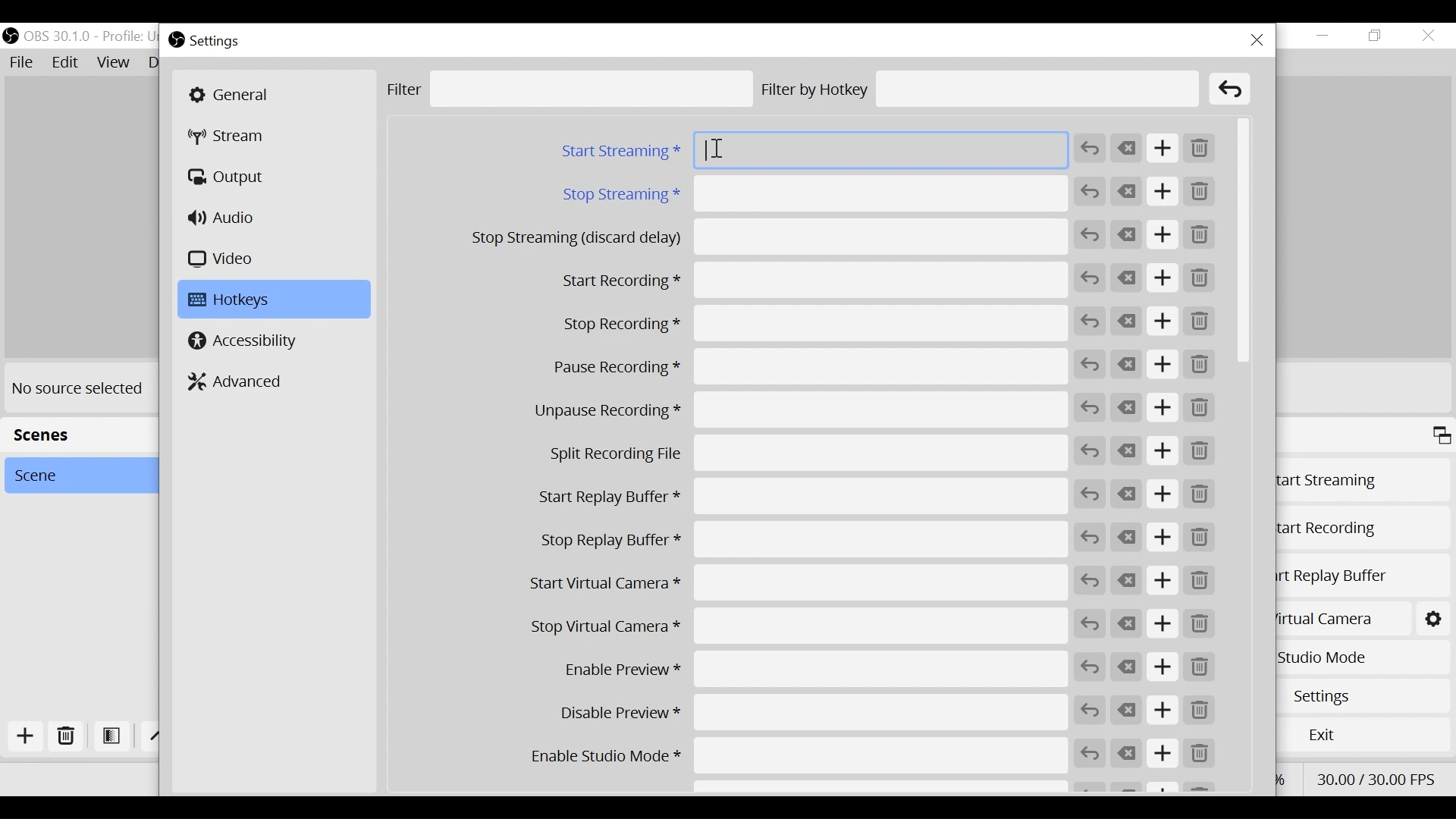 The width and height of the screenshot is (1456, 819). I want to click on Start Virtual Camera, so click(1337, 617).